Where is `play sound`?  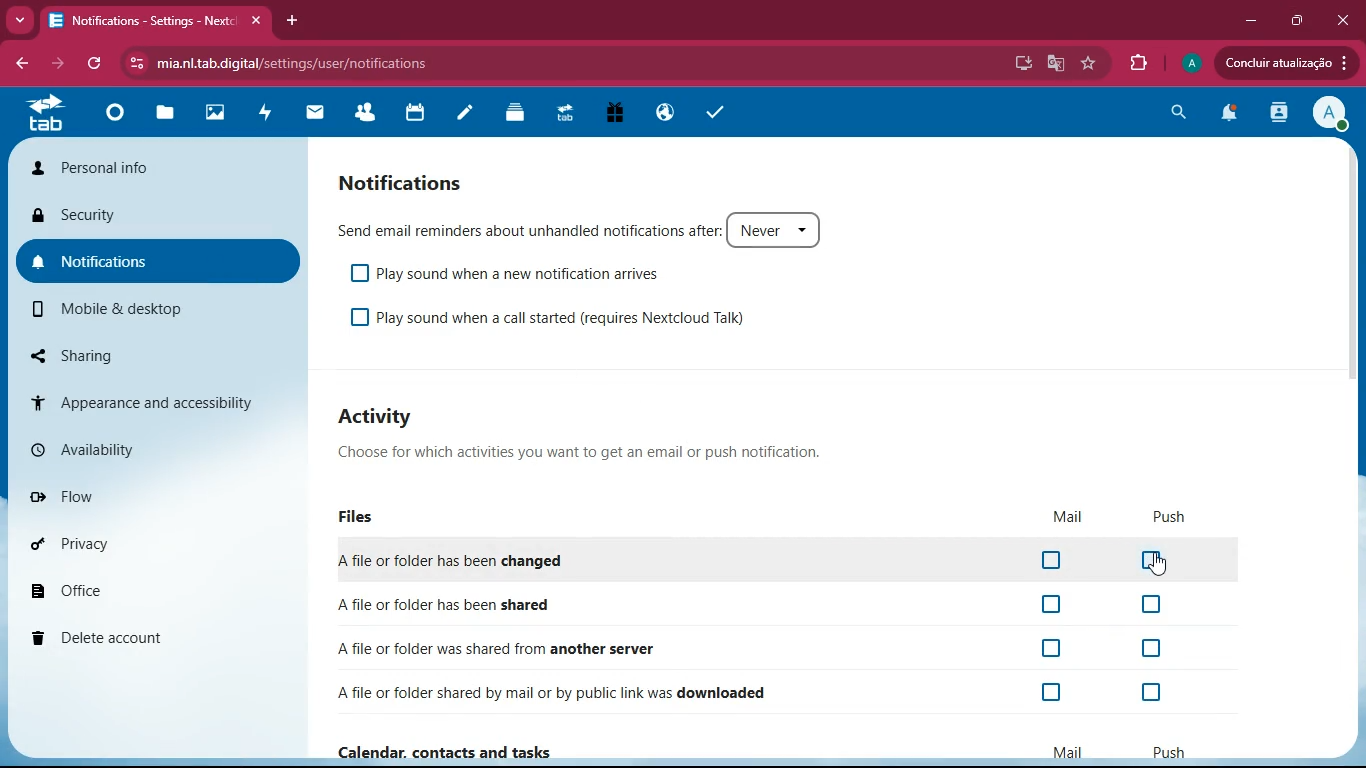
play sound is located at coordinates (561, 316).